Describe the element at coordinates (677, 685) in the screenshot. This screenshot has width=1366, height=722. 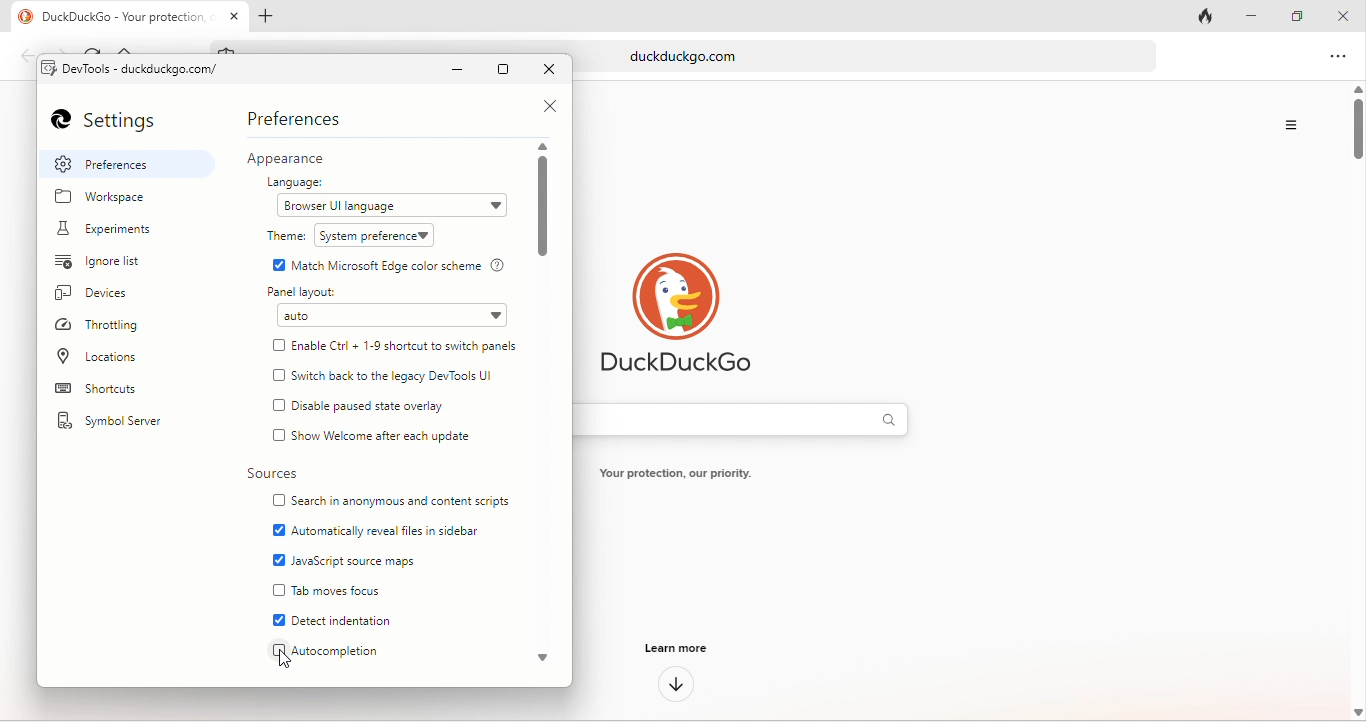
I see `down arrow` at that location.